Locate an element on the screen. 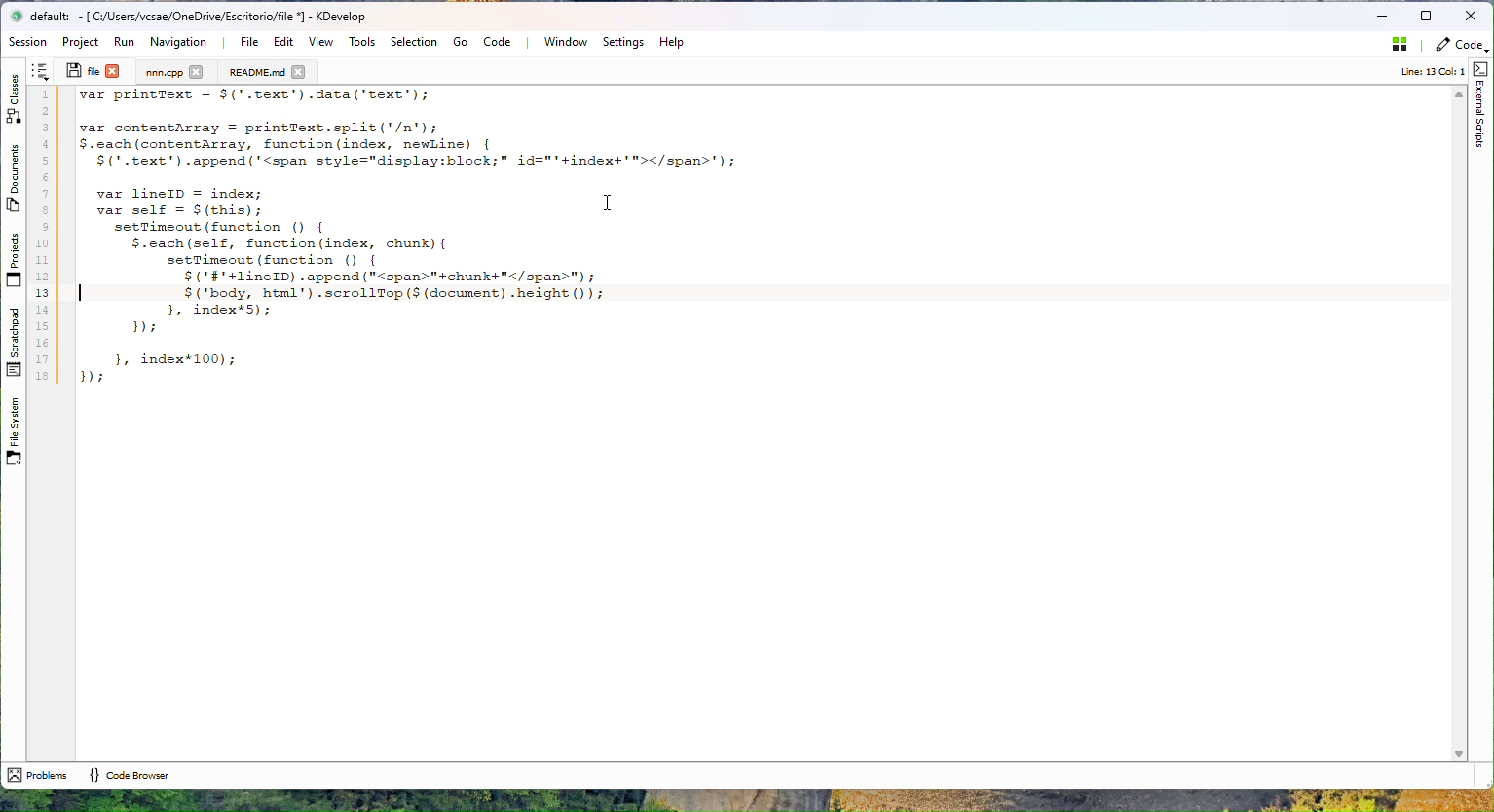 This screenshot has width=1494, height=812. Navigation is located at coordinates (180, 42).